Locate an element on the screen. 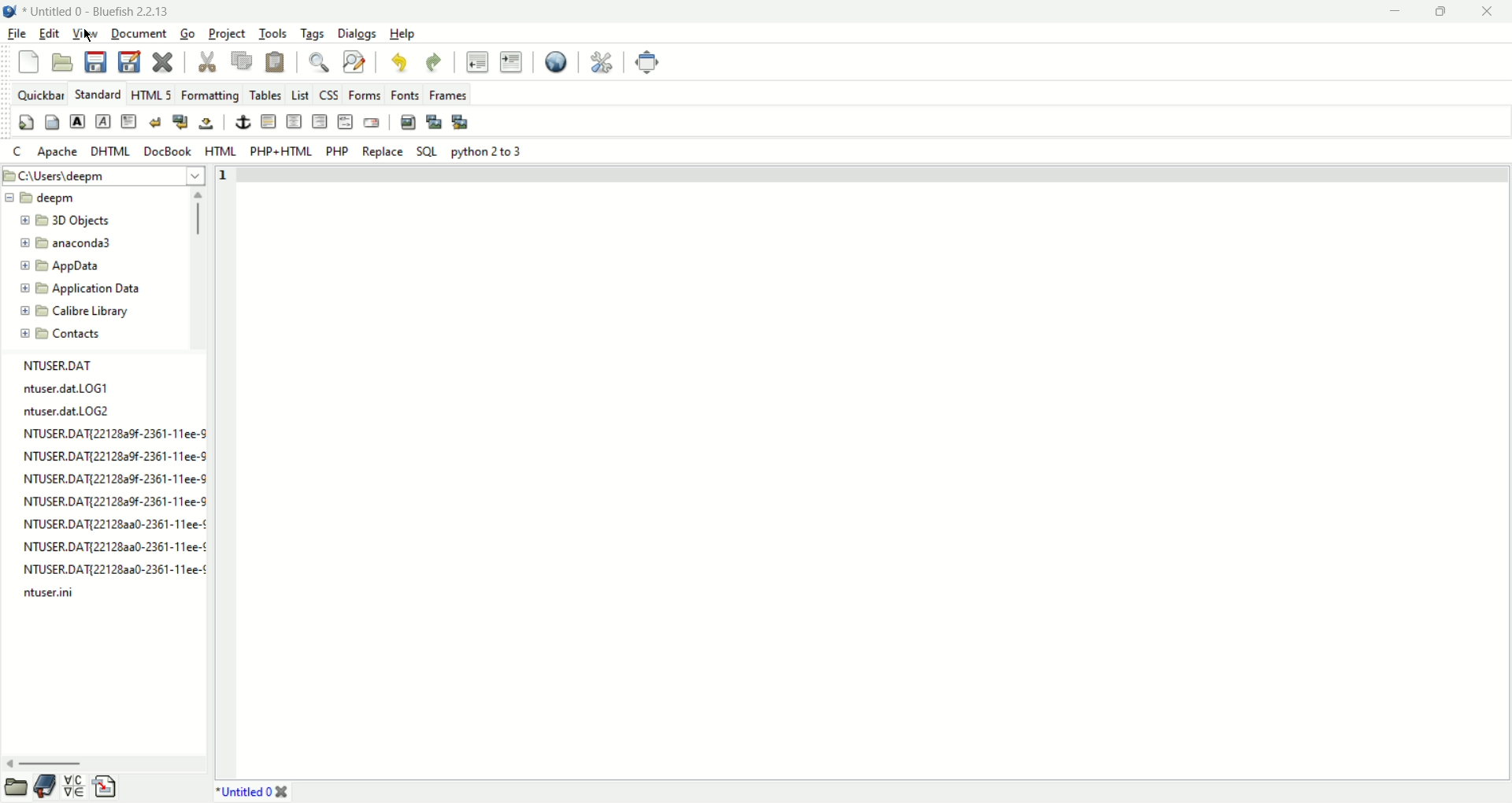  tags is located at coordinates (312, 34).